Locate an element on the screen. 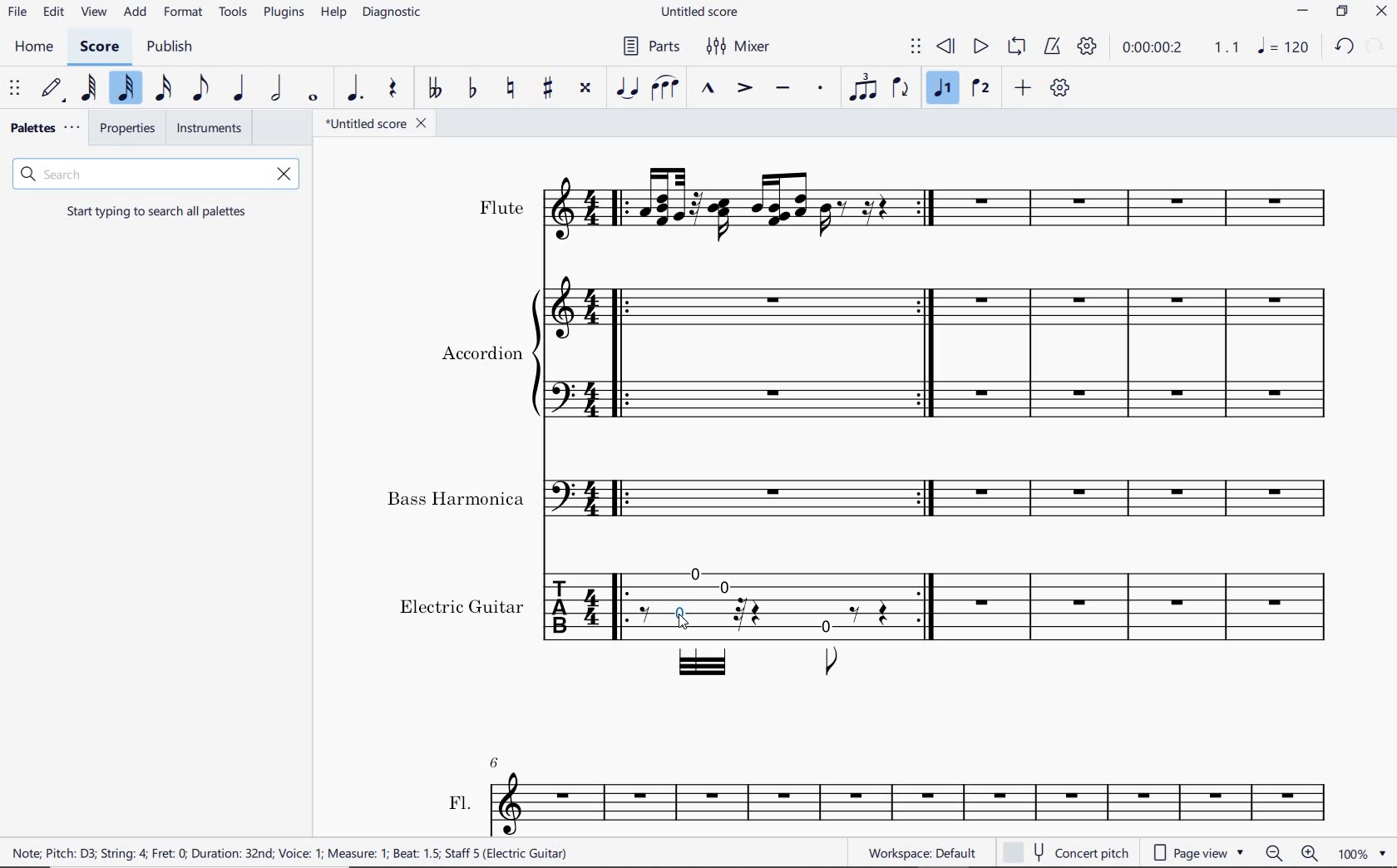  16th note is located at coordinates (164, 86).